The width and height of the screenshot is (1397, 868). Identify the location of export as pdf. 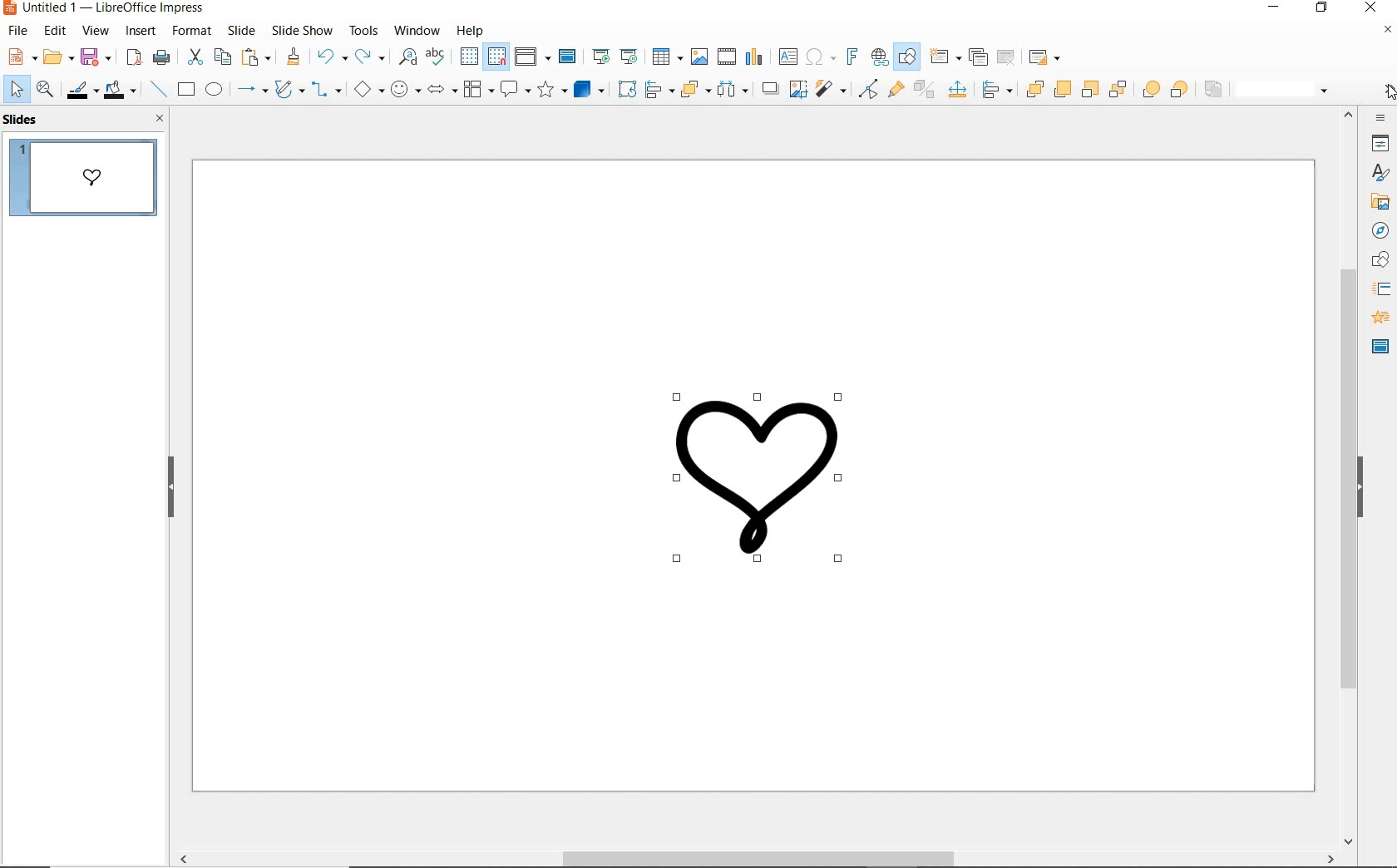
(134, 57).